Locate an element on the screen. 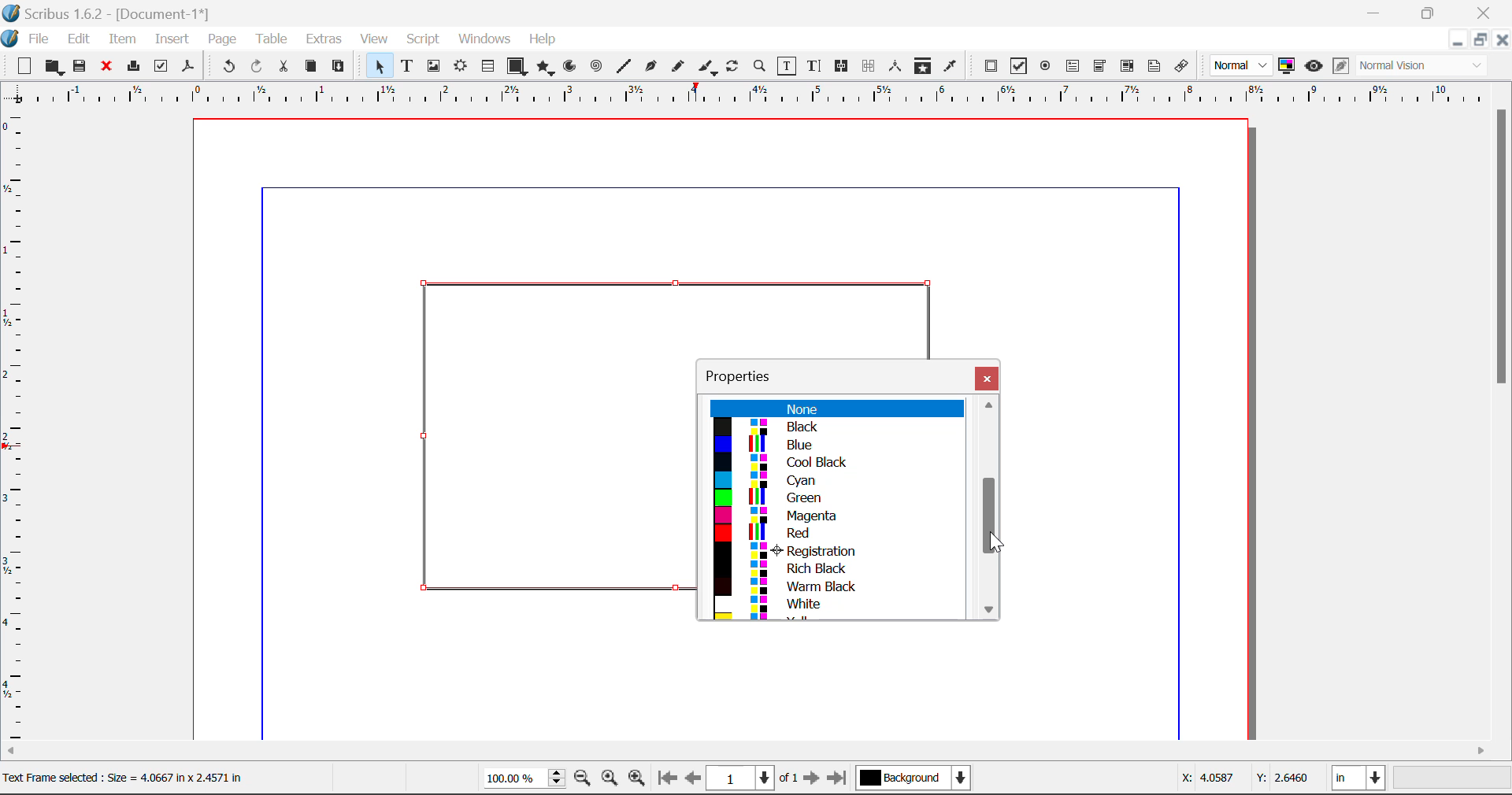 The height and width of the screenshot is (795, 1512). Blue is located at coordinates (836, 446).